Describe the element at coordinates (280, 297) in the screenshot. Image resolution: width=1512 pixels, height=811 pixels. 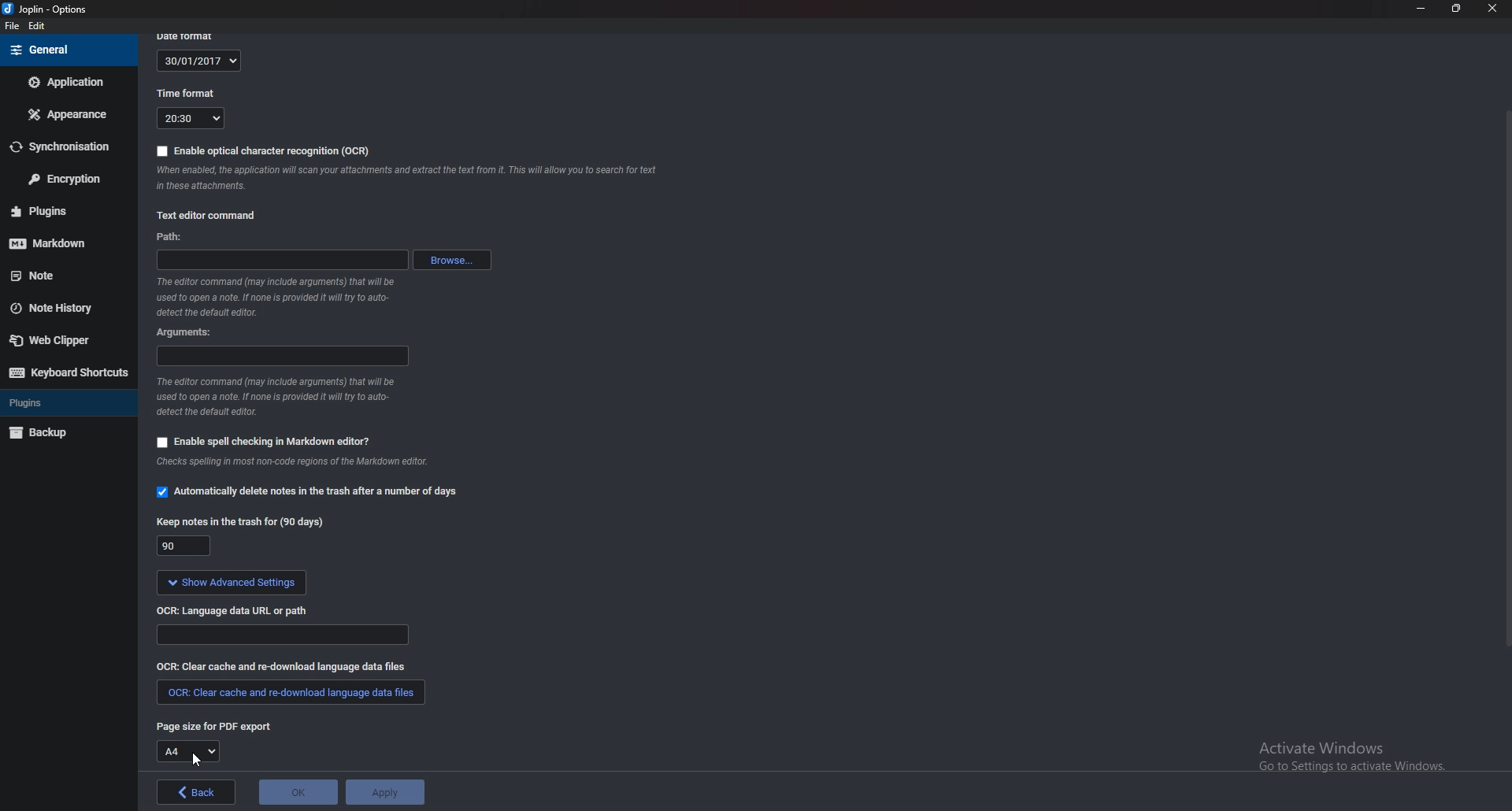
I see `Info on editor command` at that location.